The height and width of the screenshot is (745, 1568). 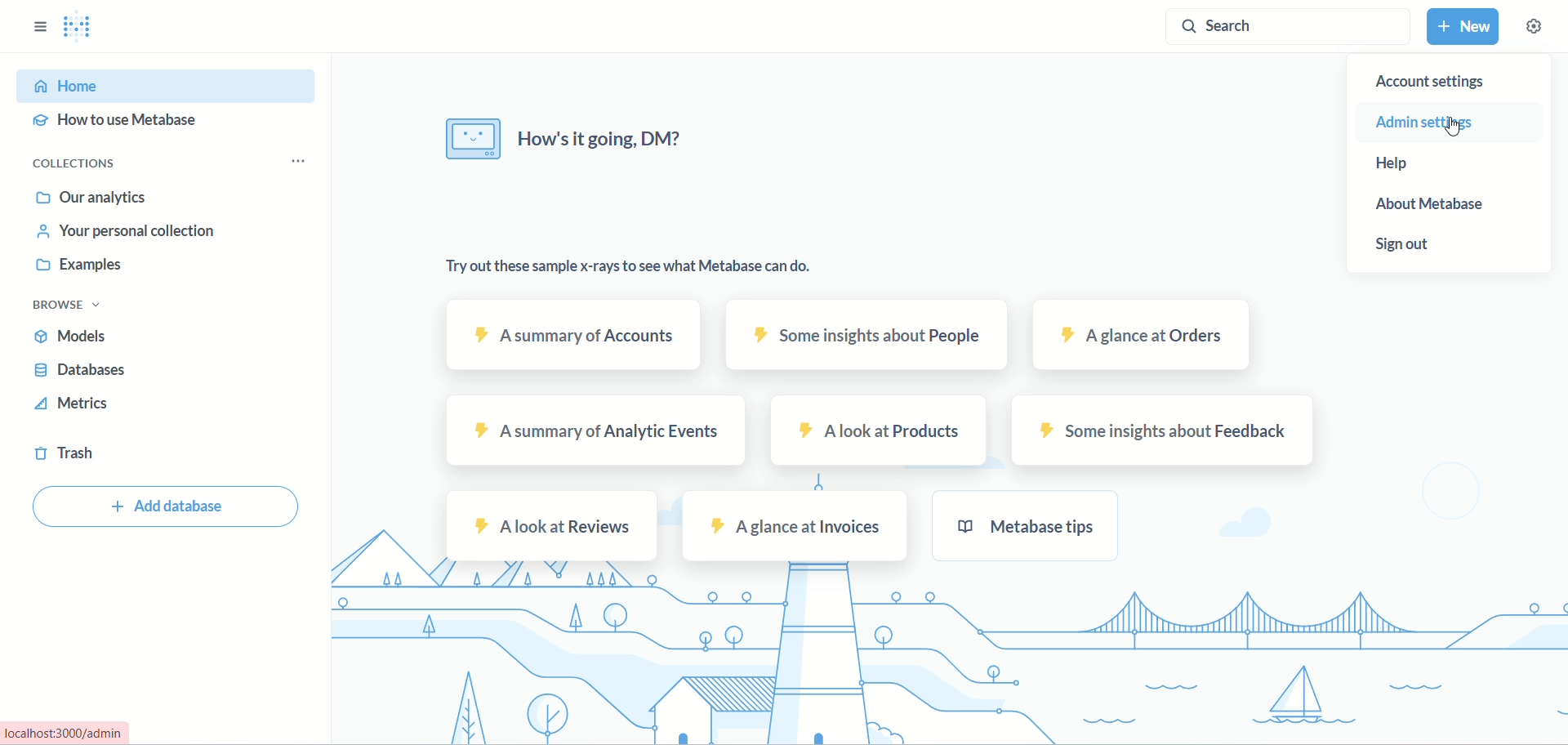 What do you see at coordinates (878, 430) in the screenshot?
I see `products` at bounding box center [878, 430].